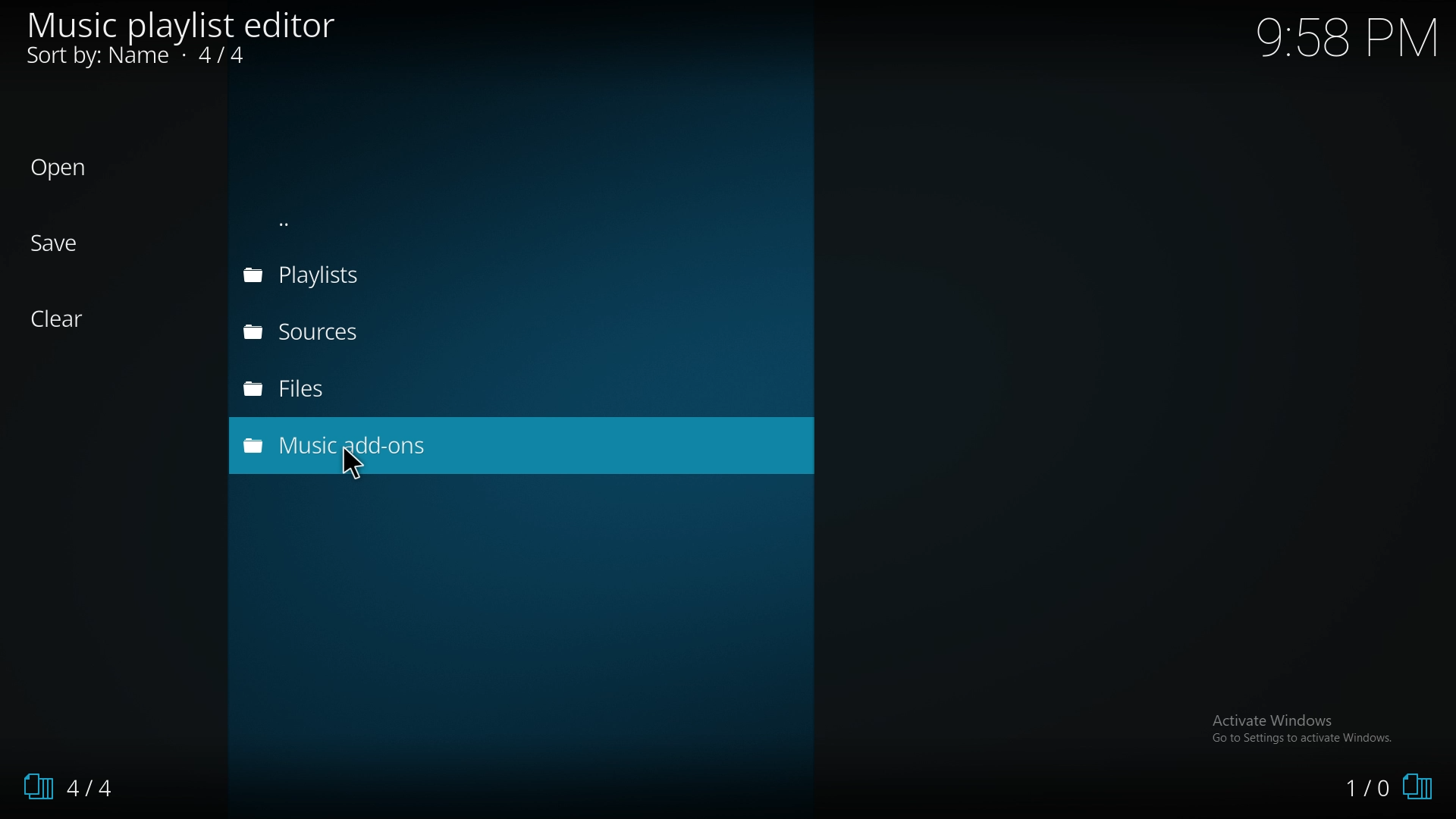 Image resolution: width=1456 pixels, height=819 pixels. Describe the element at coordinates (393, 331) in the screenshot. I see `sources` at that location.